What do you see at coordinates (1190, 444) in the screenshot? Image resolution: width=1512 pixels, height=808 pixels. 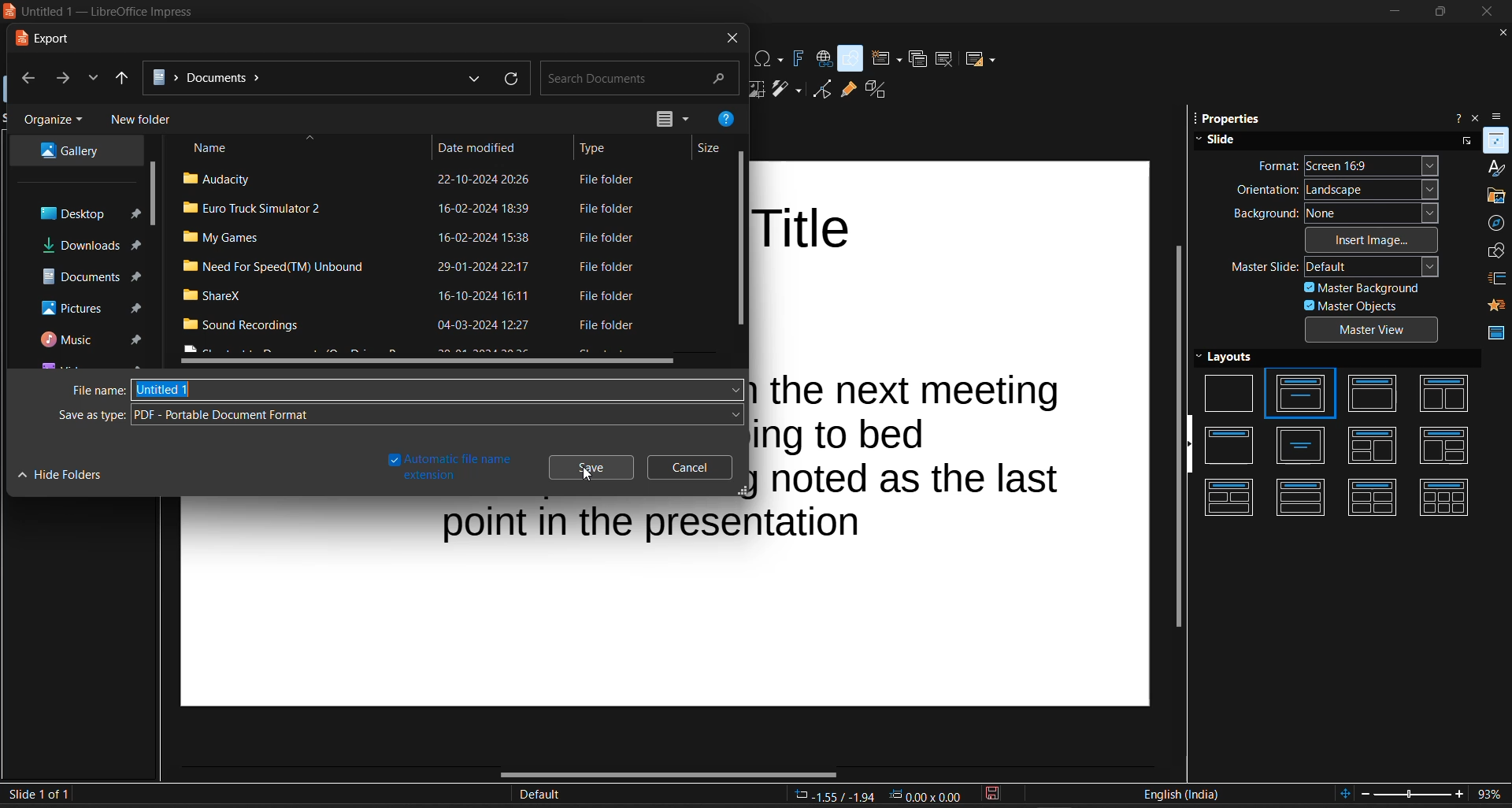 I see `hide` at bounding box center [1190, 444].